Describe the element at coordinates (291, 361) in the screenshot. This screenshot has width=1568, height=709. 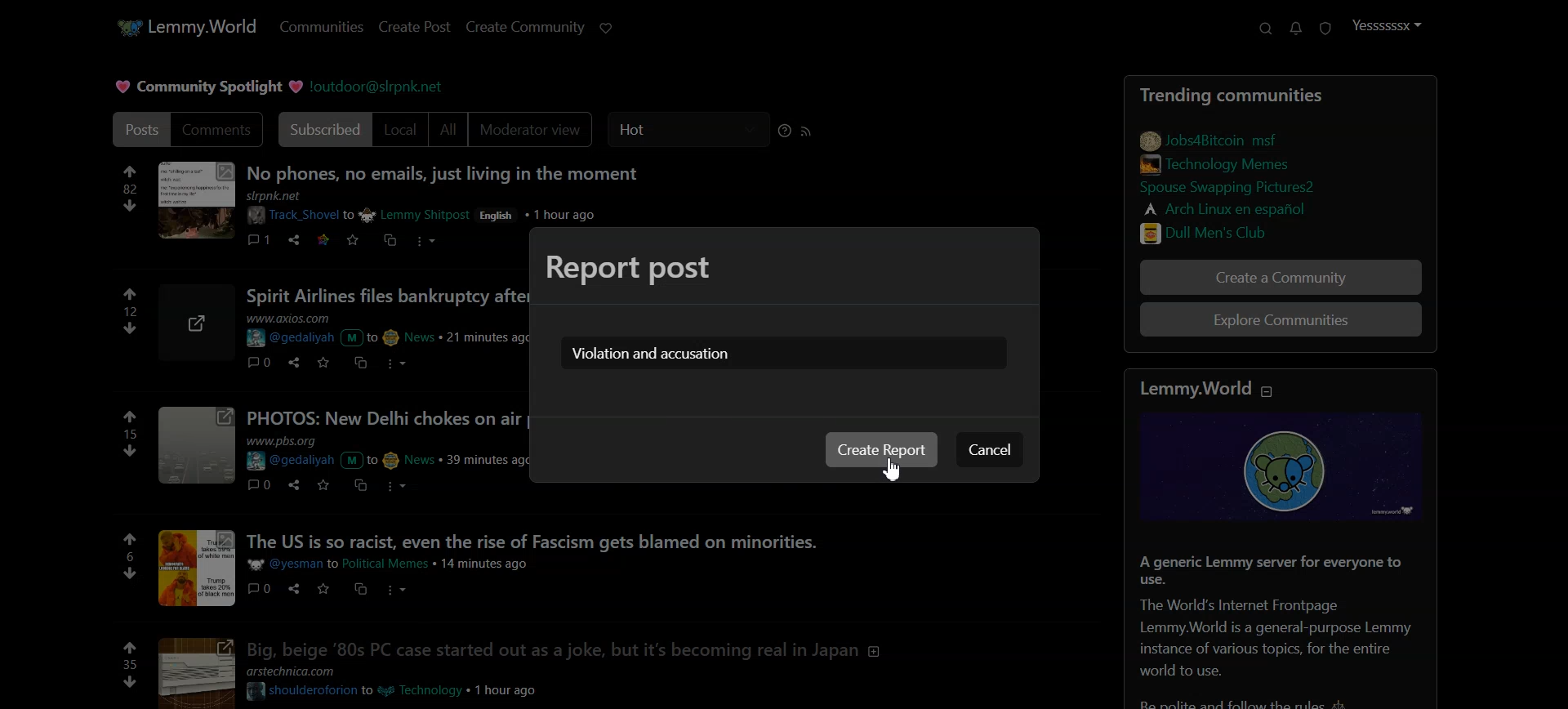
I see `share` at that location.